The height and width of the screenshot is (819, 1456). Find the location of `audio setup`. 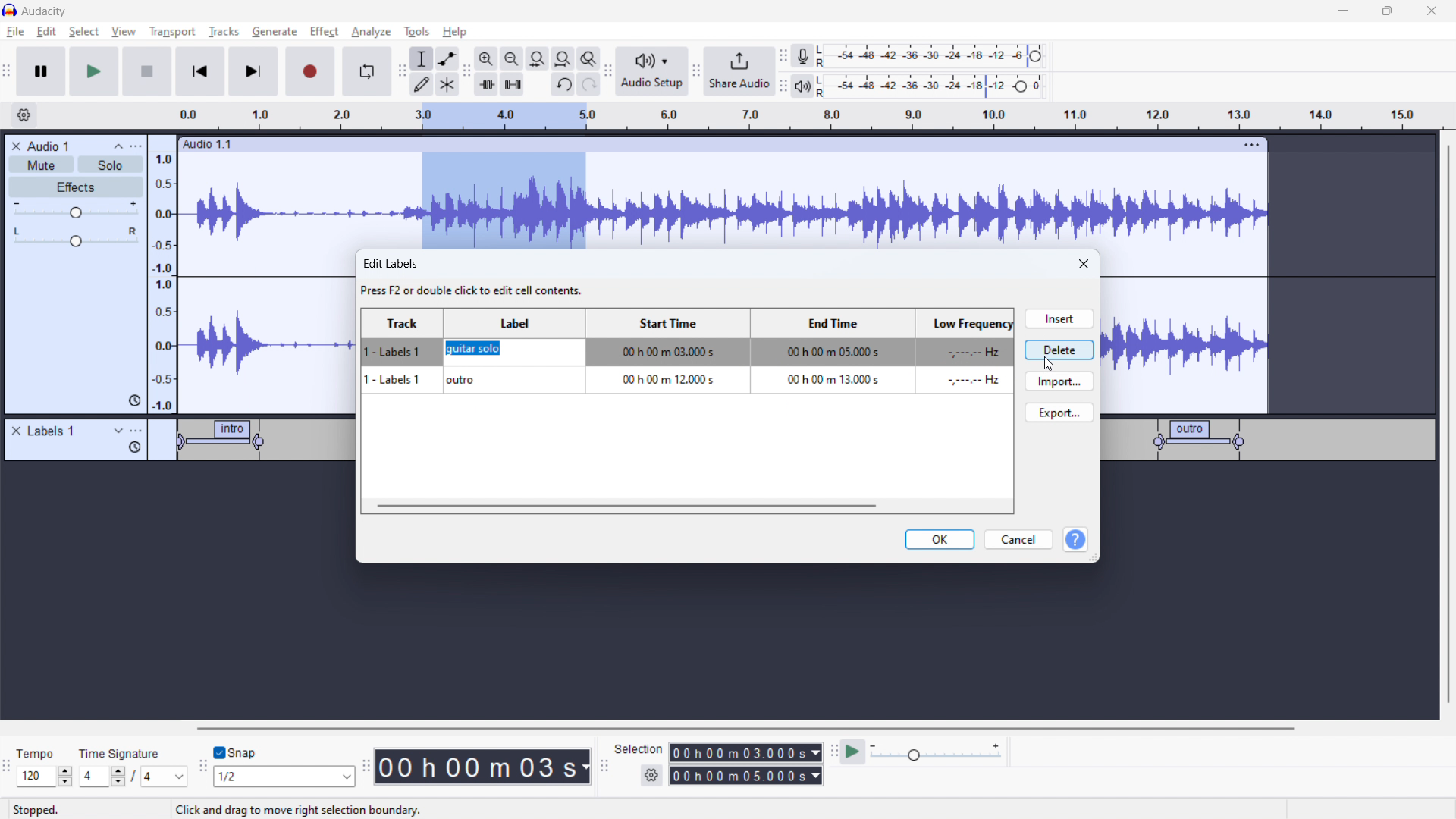

audio setup is located at coordinates (652, 72).